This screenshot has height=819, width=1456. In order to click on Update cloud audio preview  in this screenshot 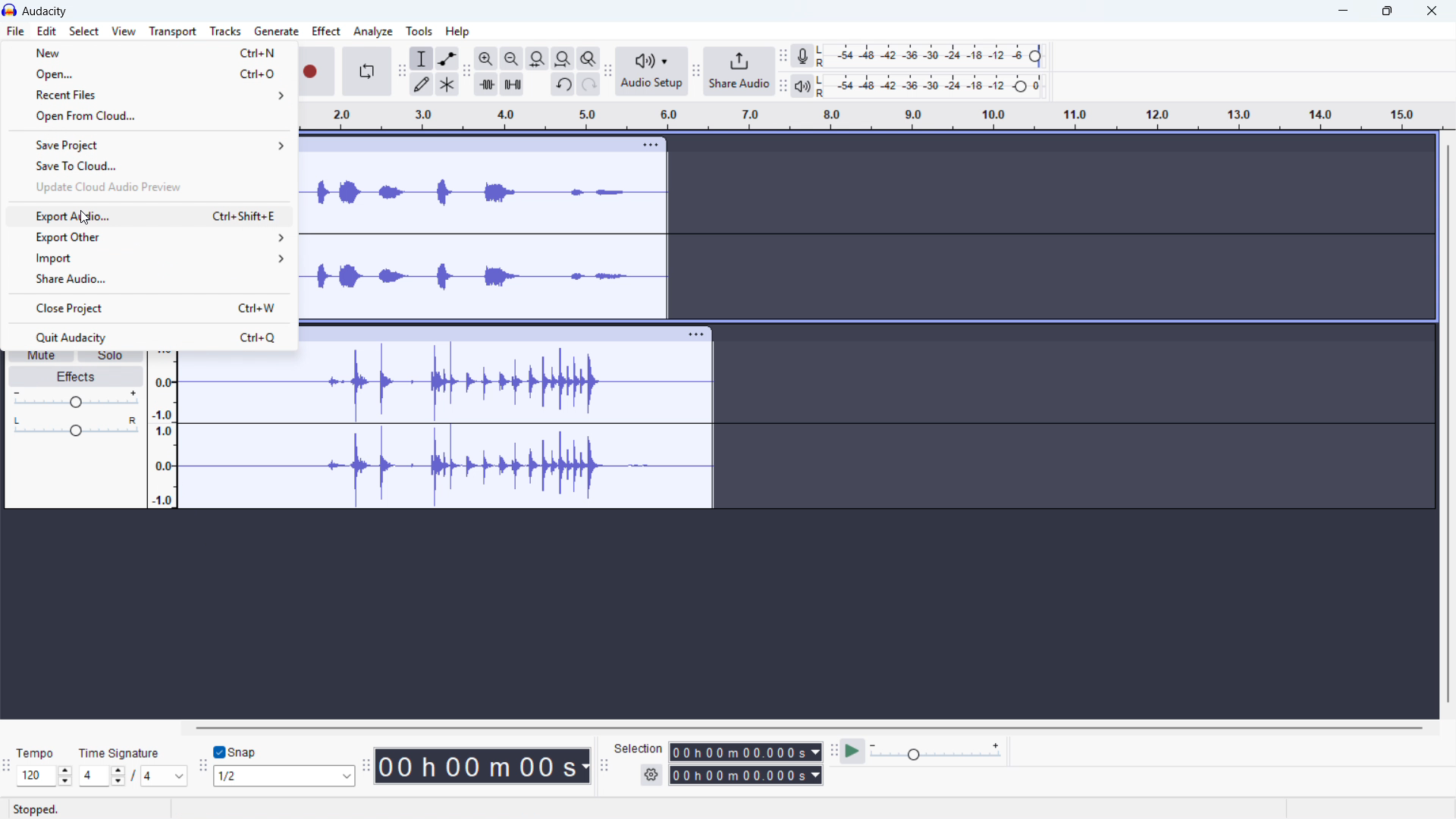, I will do `click(147, 187)`.